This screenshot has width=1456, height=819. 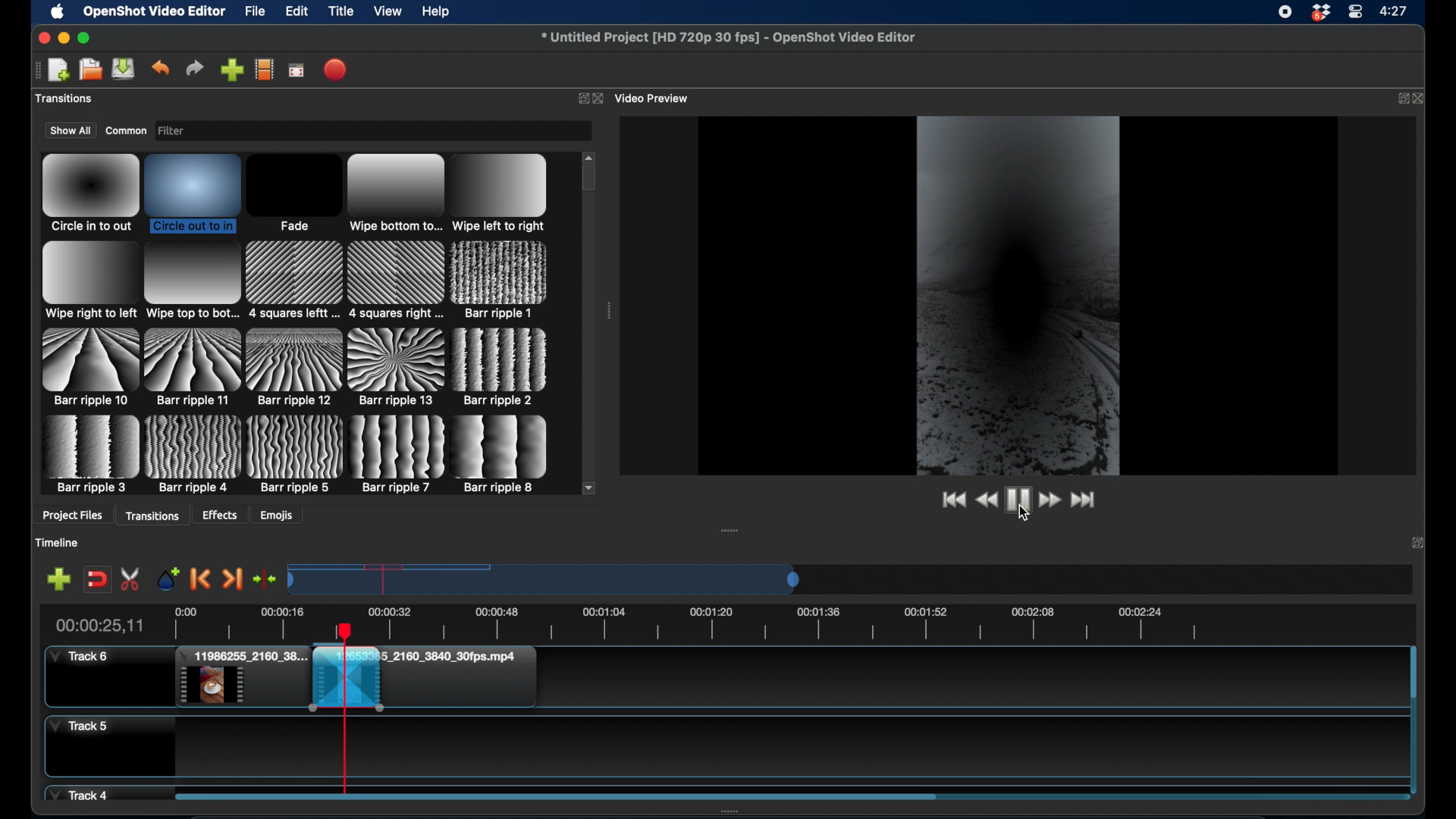 I want to click on transition, so click(x=88, y=366).